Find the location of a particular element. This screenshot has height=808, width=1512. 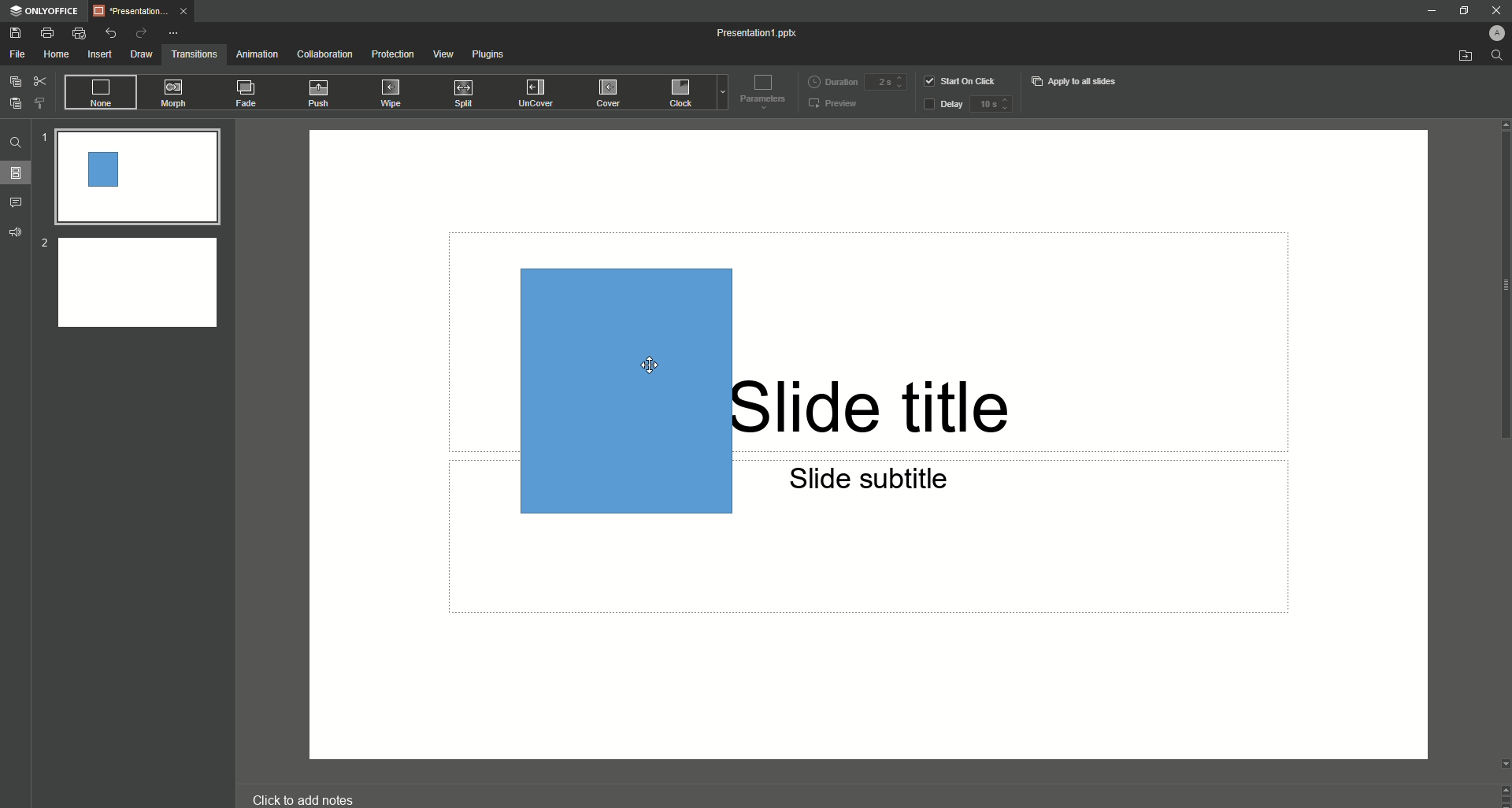

Quick Print is located at coordinates (81, 33).